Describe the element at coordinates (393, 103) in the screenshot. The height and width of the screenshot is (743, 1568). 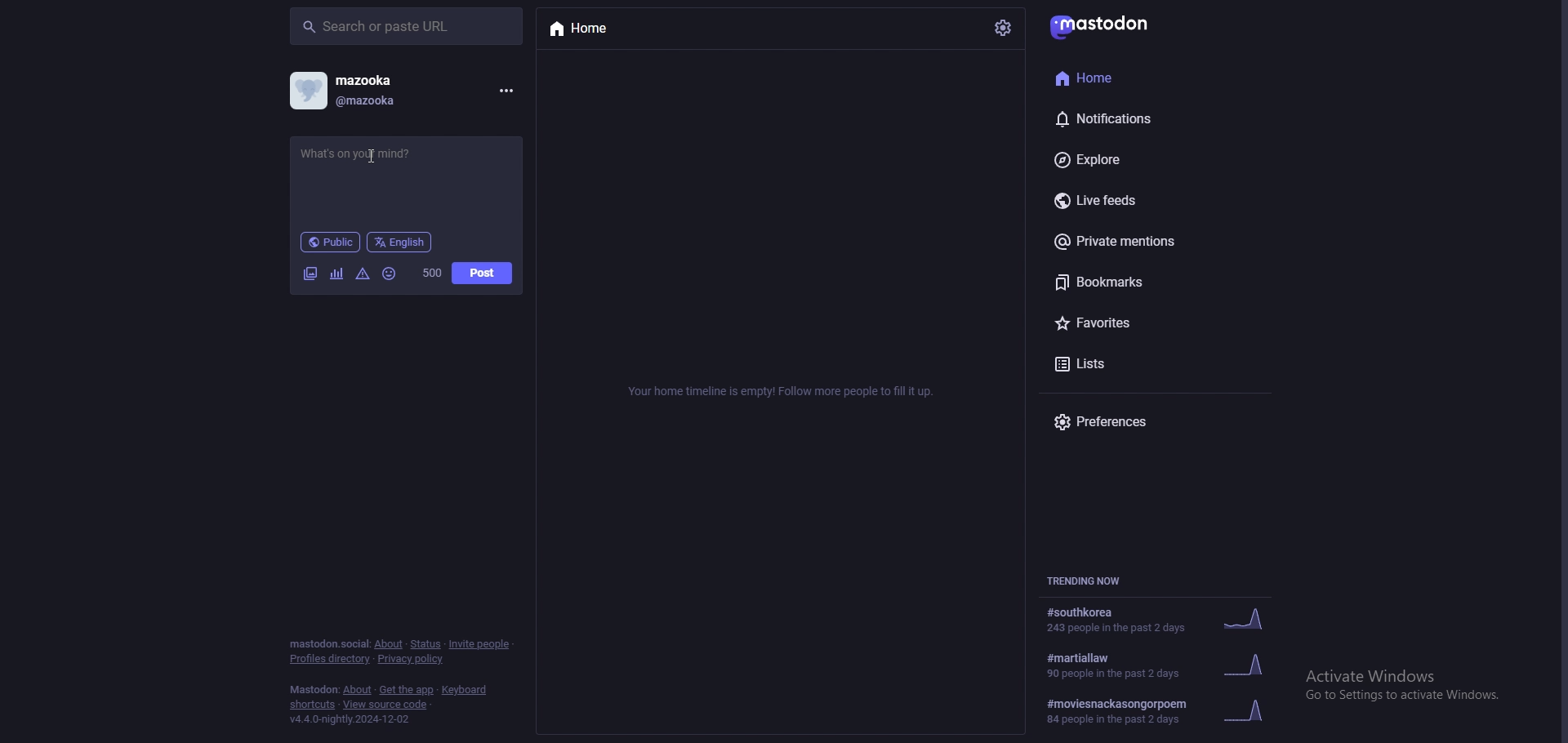
I see `@mazooka` at that location.